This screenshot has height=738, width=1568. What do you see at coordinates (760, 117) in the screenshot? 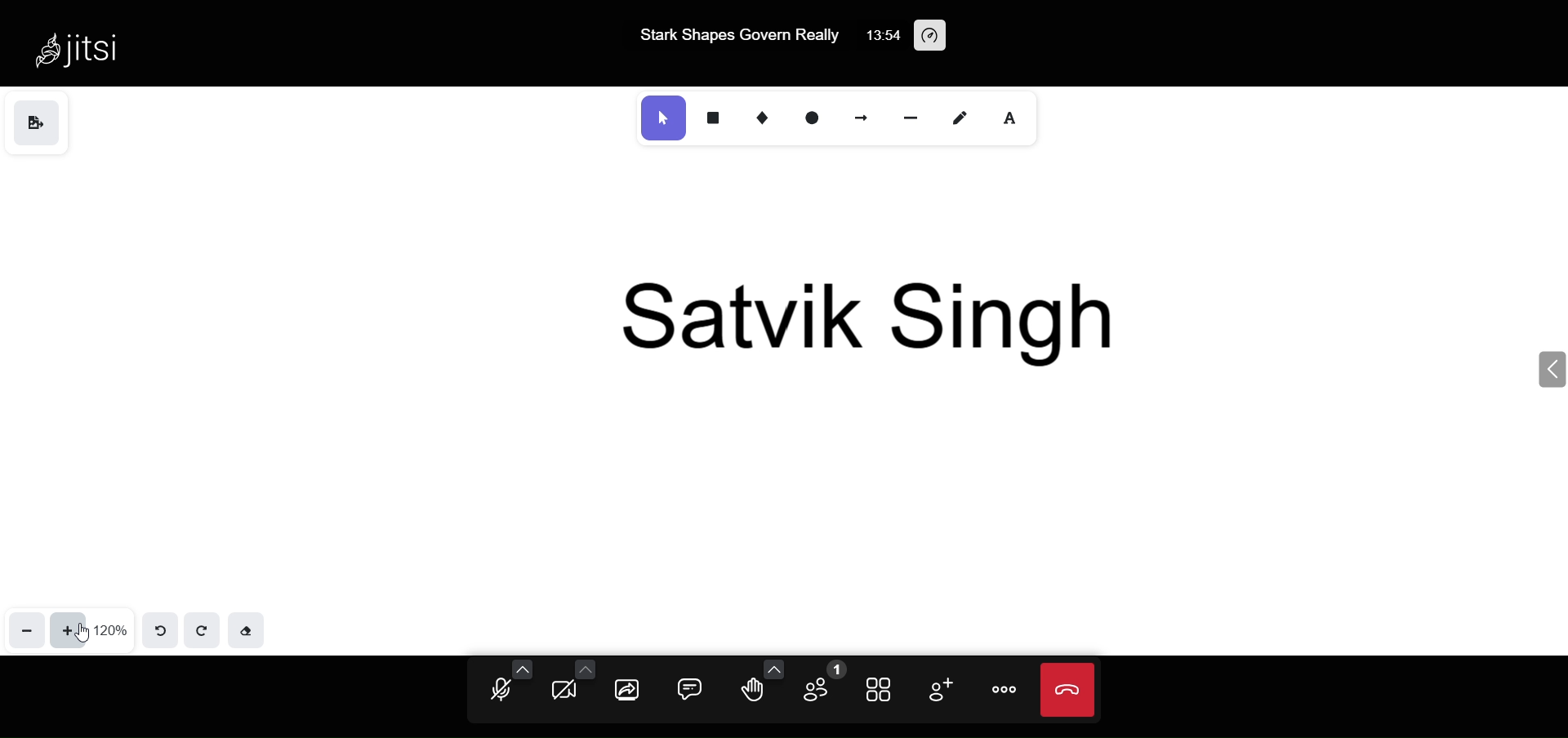
I see `diamond` at bounding box center [760, 117].